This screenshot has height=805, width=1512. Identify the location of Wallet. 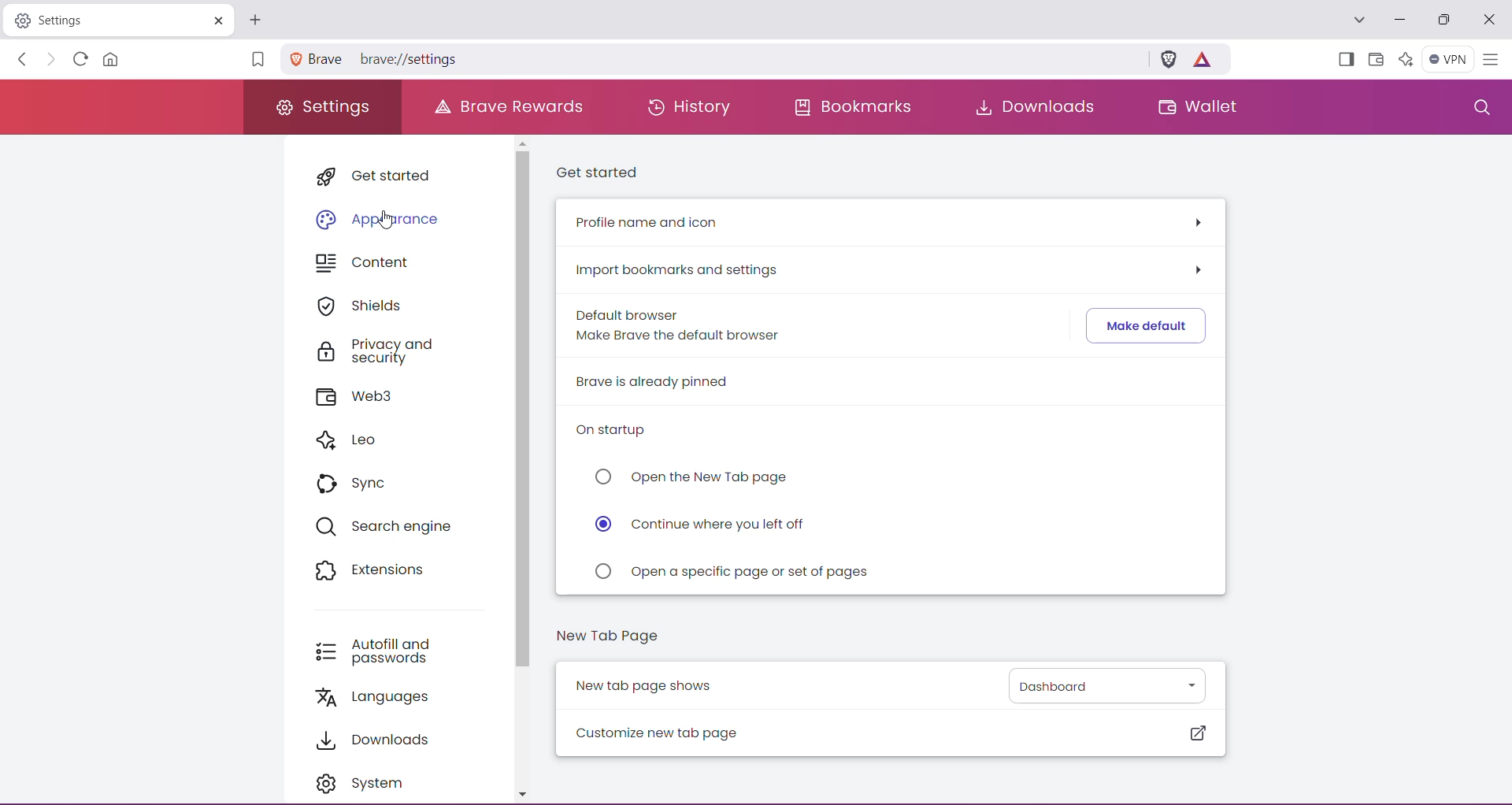
(1375, 60).